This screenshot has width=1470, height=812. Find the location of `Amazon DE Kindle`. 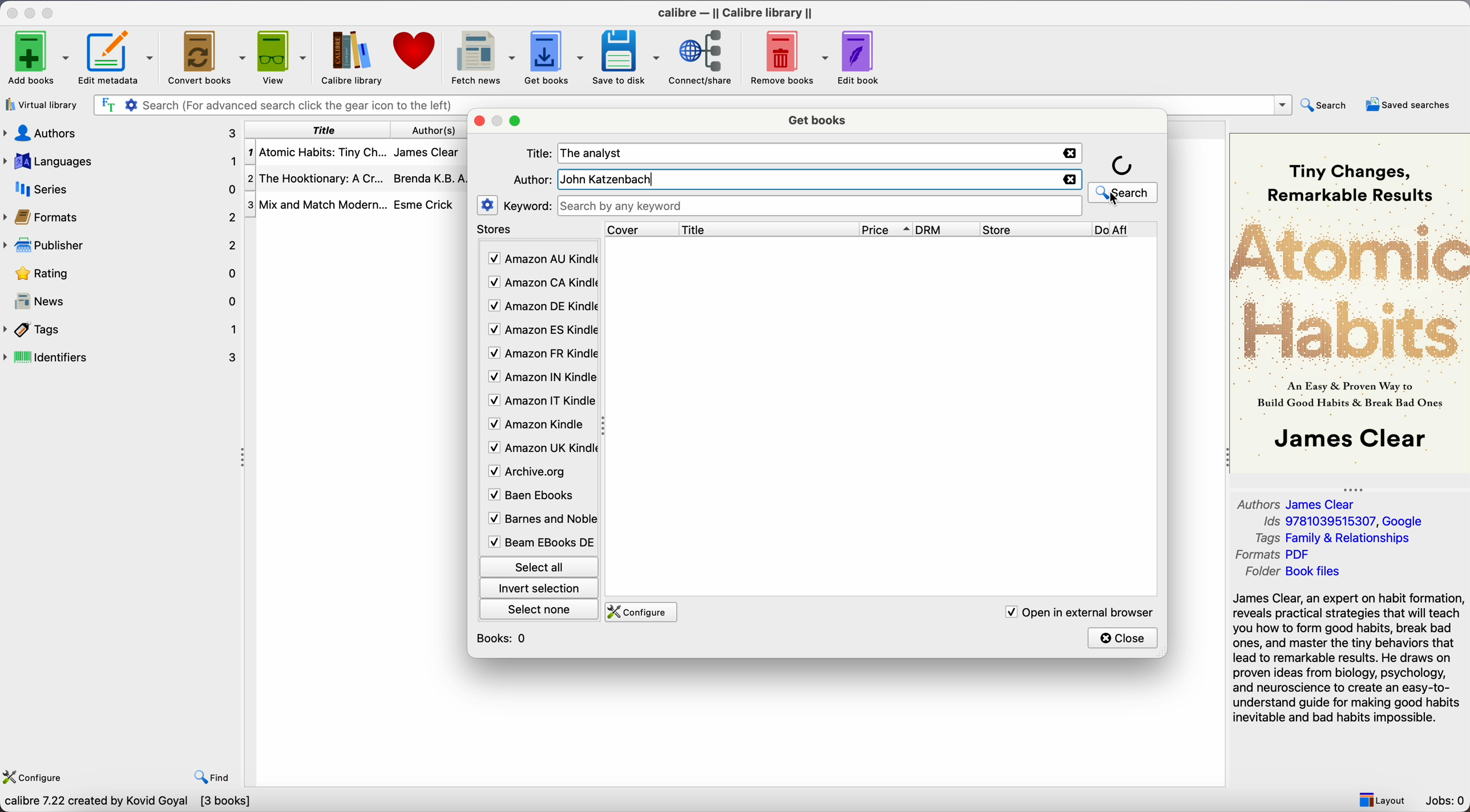

Amazon DE Kindle is located at coordinates (541, 308).